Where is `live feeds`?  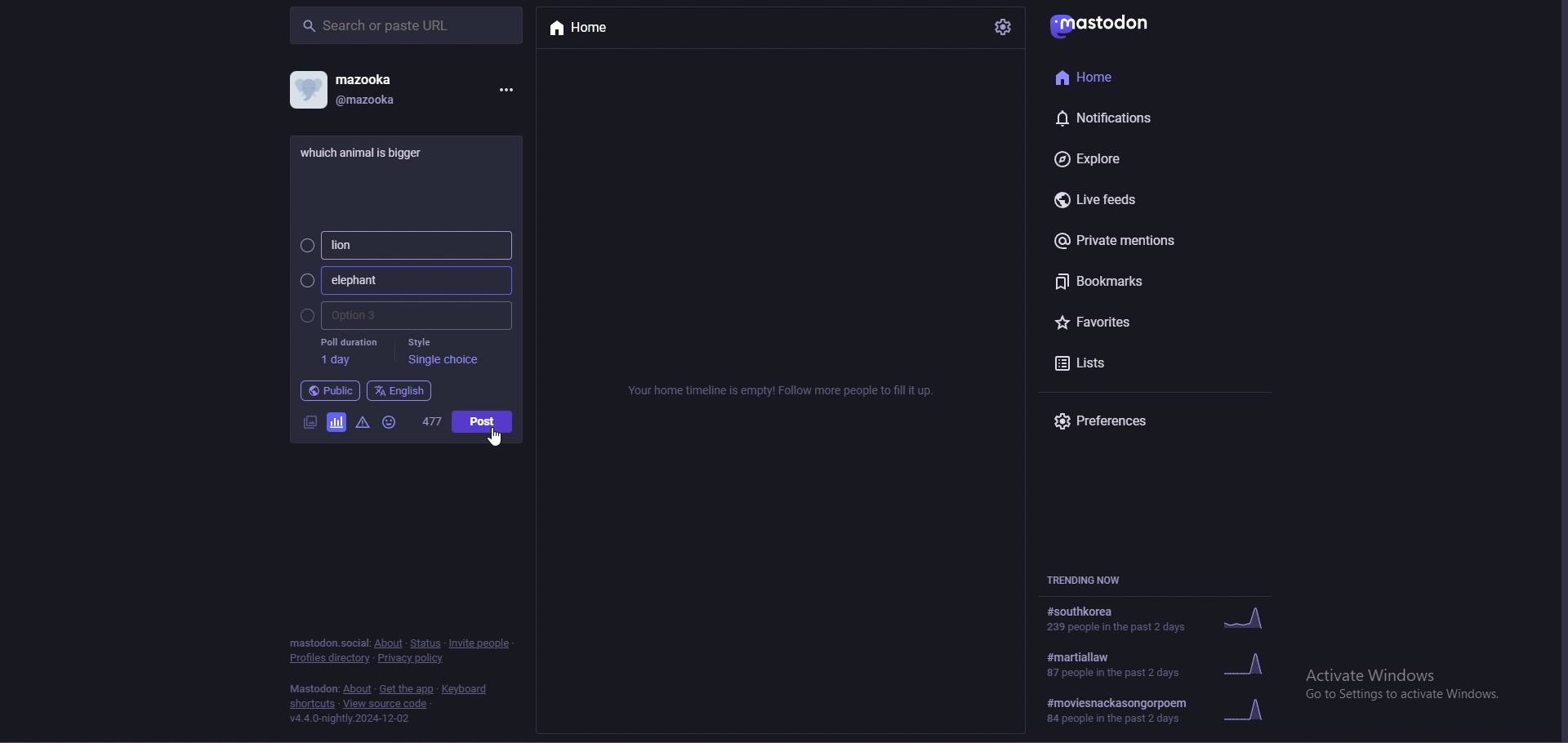
live feeds is located at coordinates (1104, 200).